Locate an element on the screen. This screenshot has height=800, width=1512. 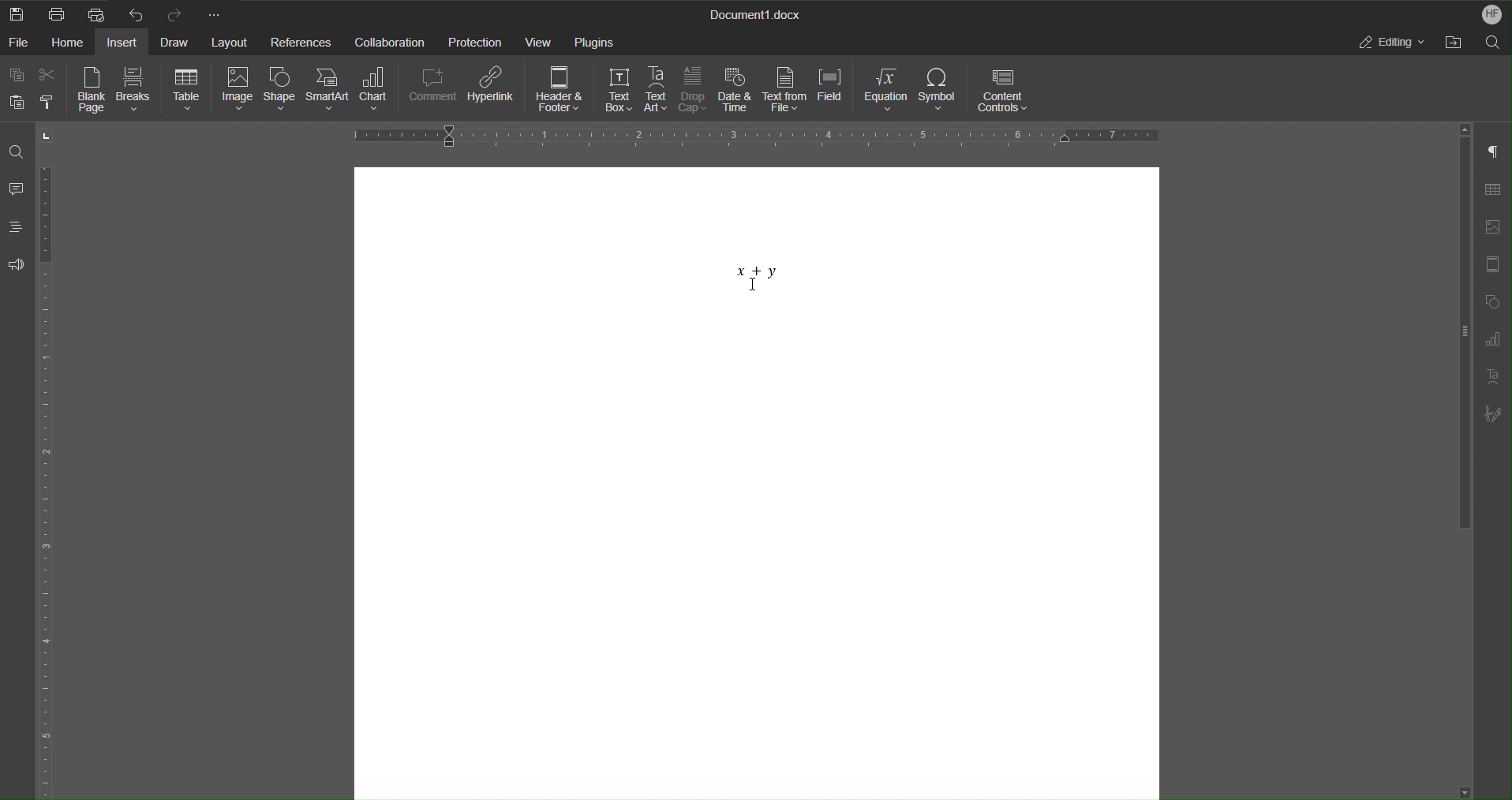
Table is located at coordinates (1492, 192).